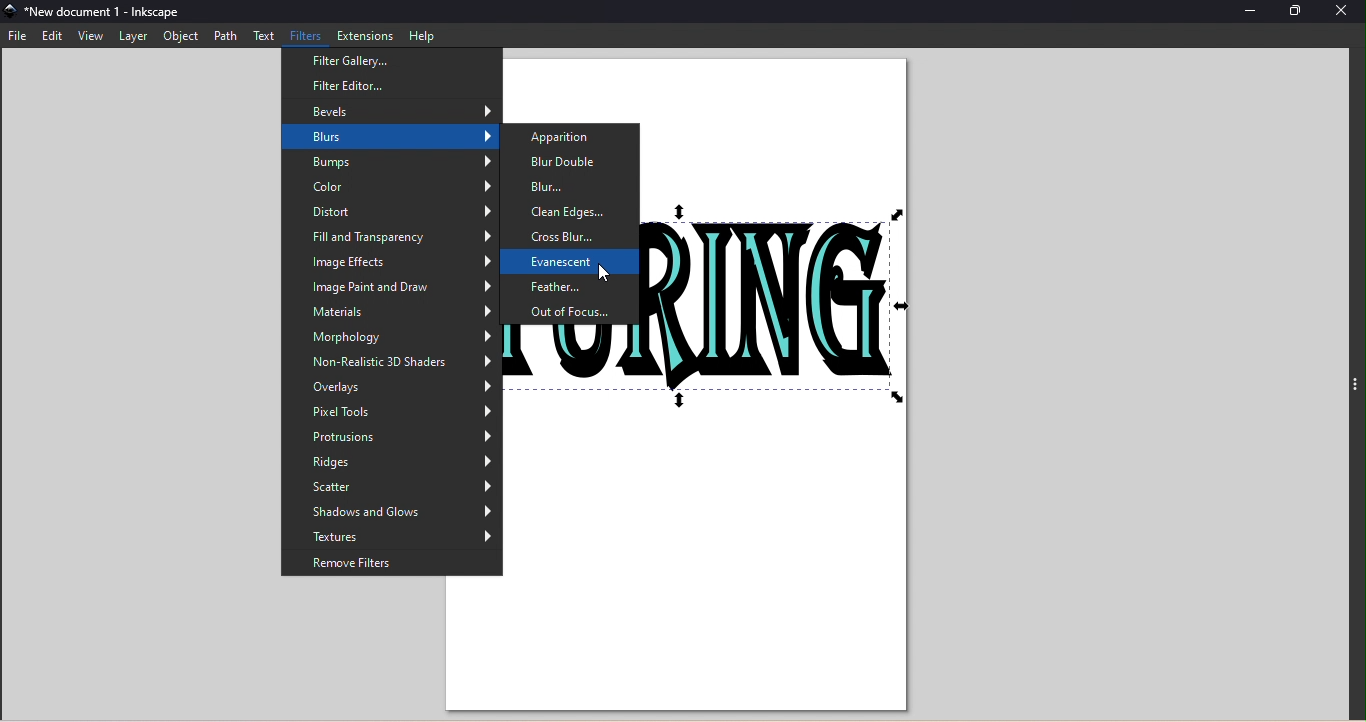 The width and height of the screenshot is (1366, 722). What do you see at coordinates (52, 38) in the screenshot?
I see `Edit` at bounding box center [52, 38].